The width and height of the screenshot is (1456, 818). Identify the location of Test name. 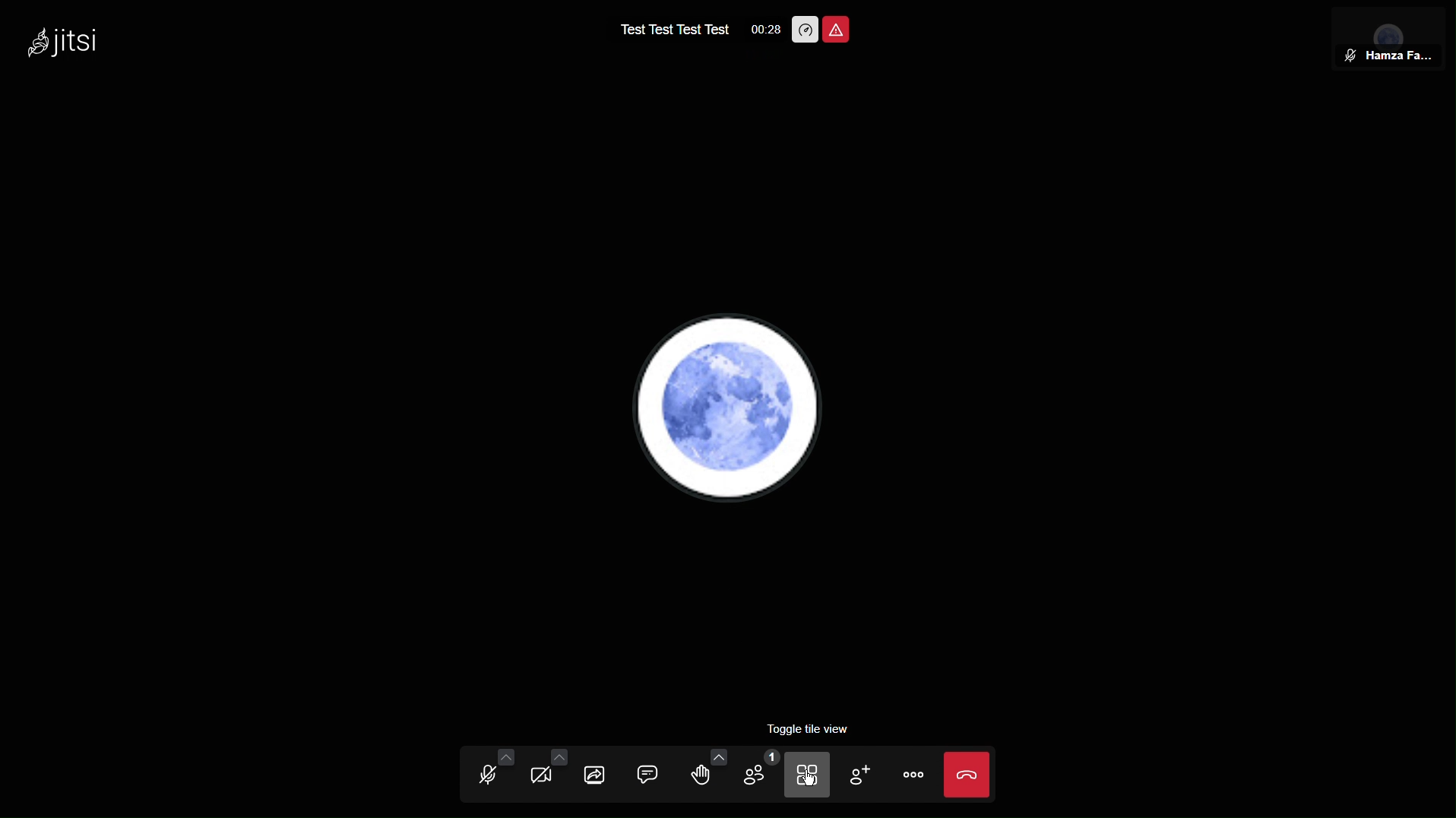
(677, 33).